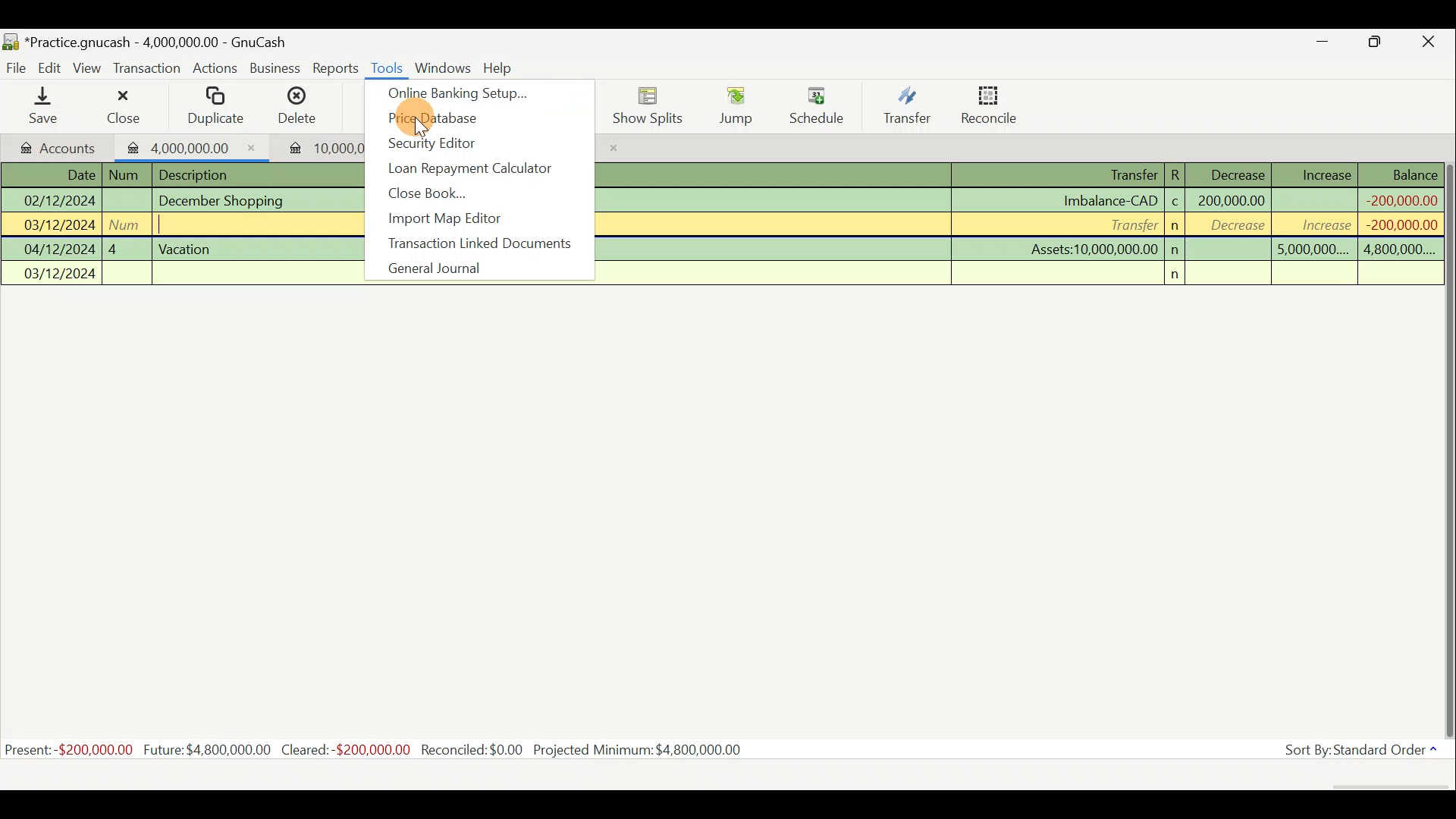 This screenshot has width=1456, height=819. What do you see at coordinates (1354, 752) in the screenshot?
I see `Sort by` at bounding box center [1354, 752].